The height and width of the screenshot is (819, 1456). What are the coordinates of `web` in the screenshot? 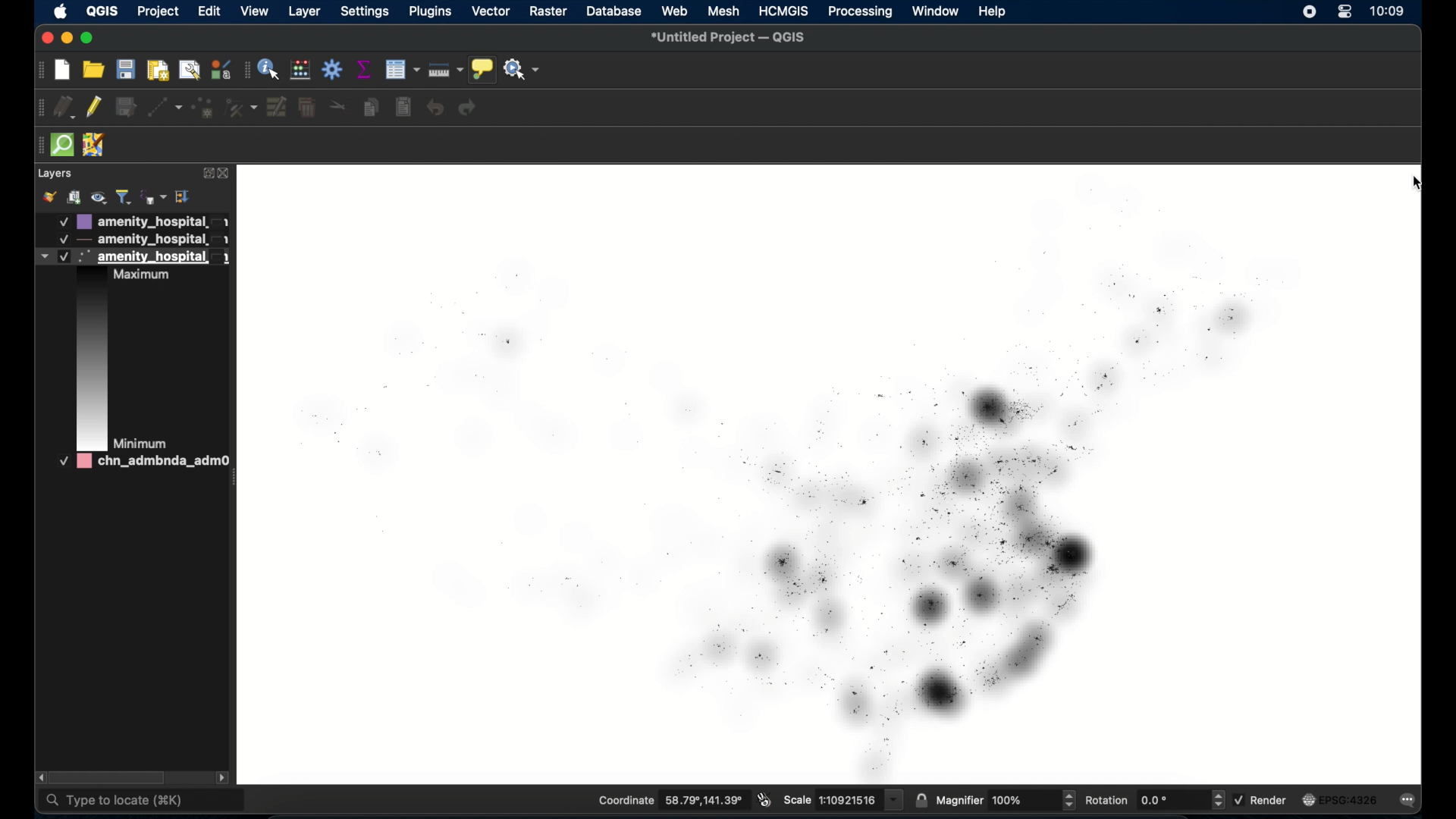 It's located at (676, 11).